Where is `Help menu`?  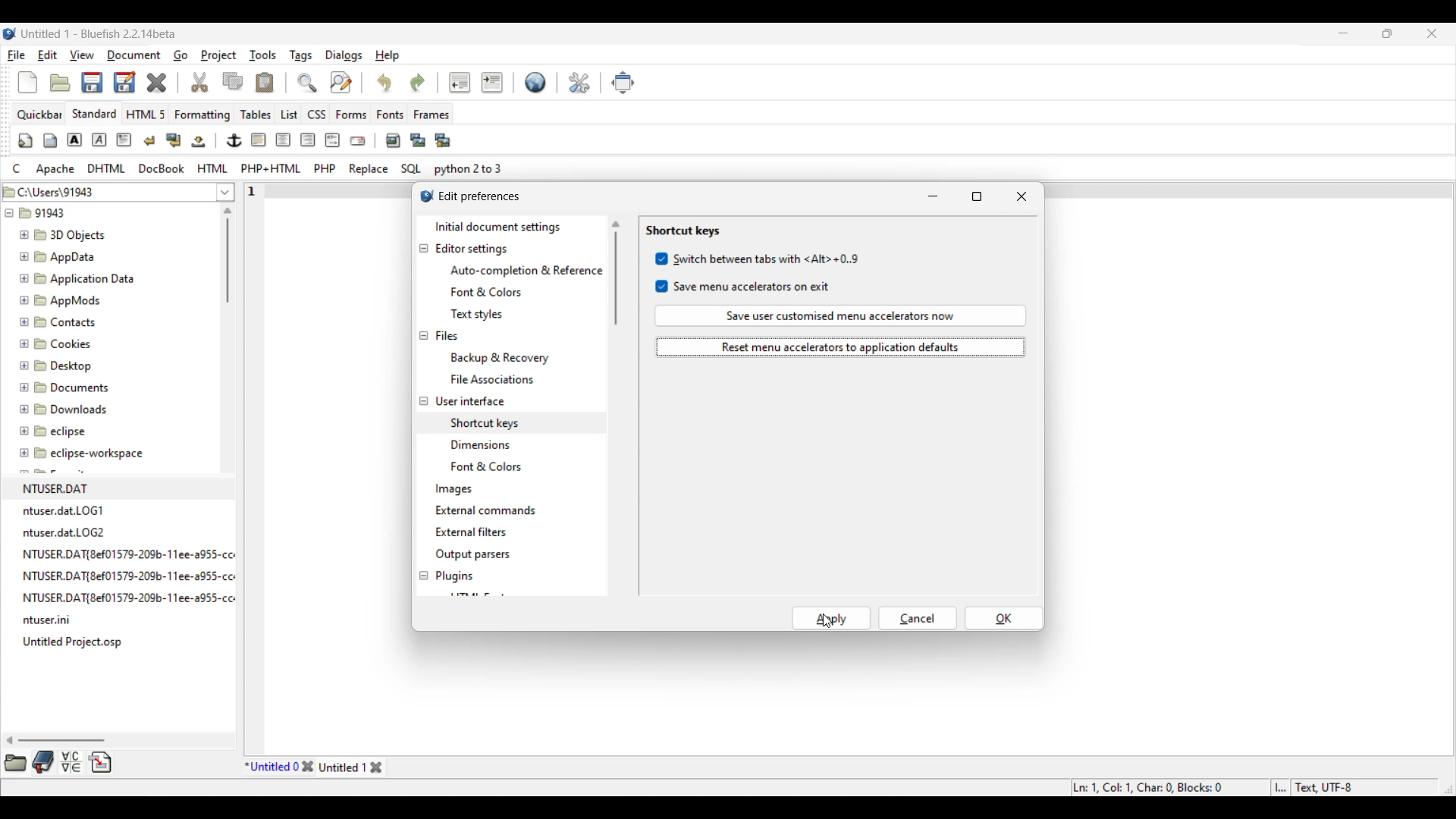 Help menu is located at coordinates (388, 56).